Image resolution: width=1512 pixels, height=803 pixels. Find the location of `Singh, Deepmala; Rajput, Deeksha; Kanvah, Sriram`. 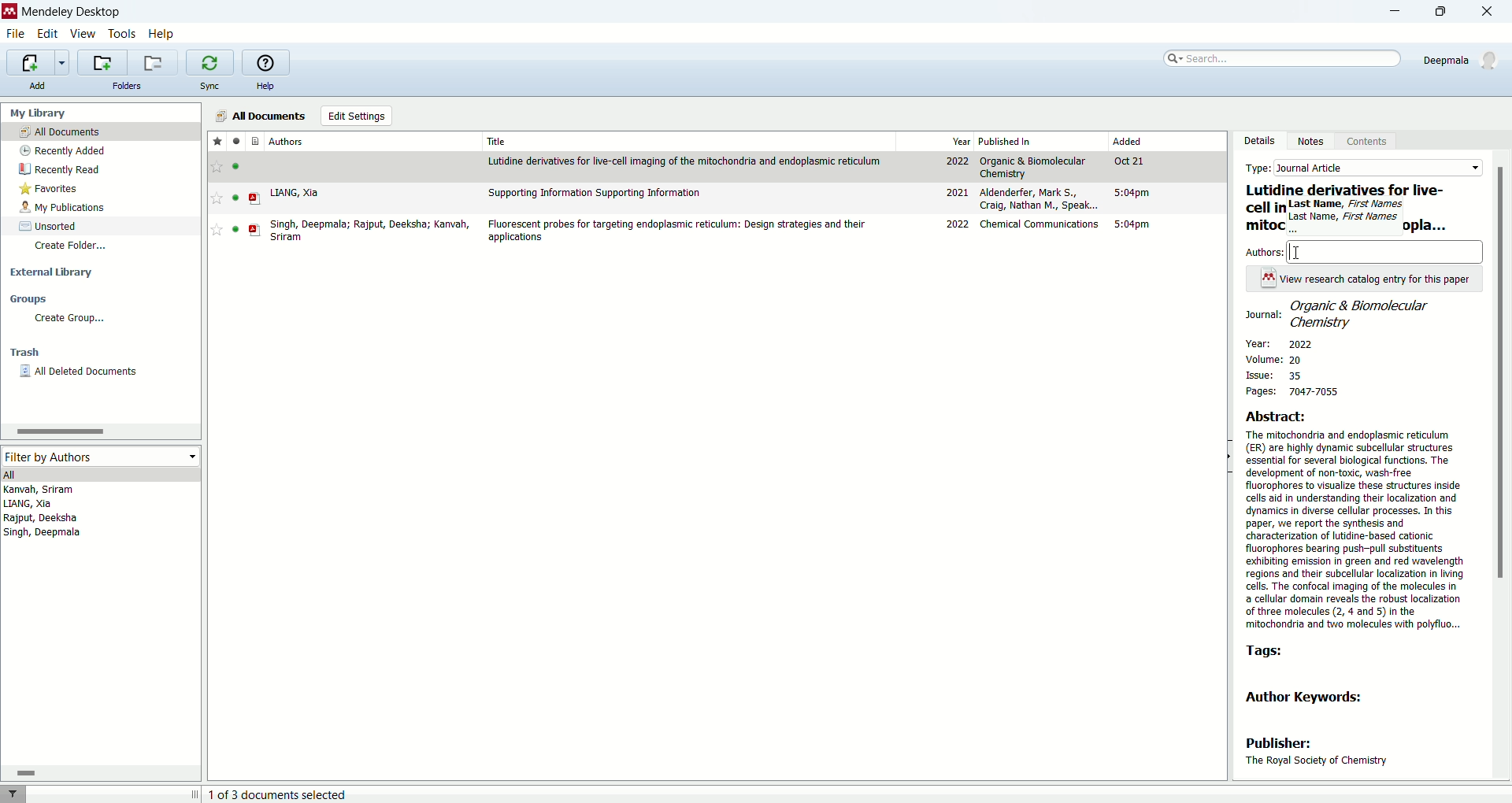

Singh, Deepmala; Rajput, Deeksha; Kanvah, Sriram is located at coordinates (374, 230).